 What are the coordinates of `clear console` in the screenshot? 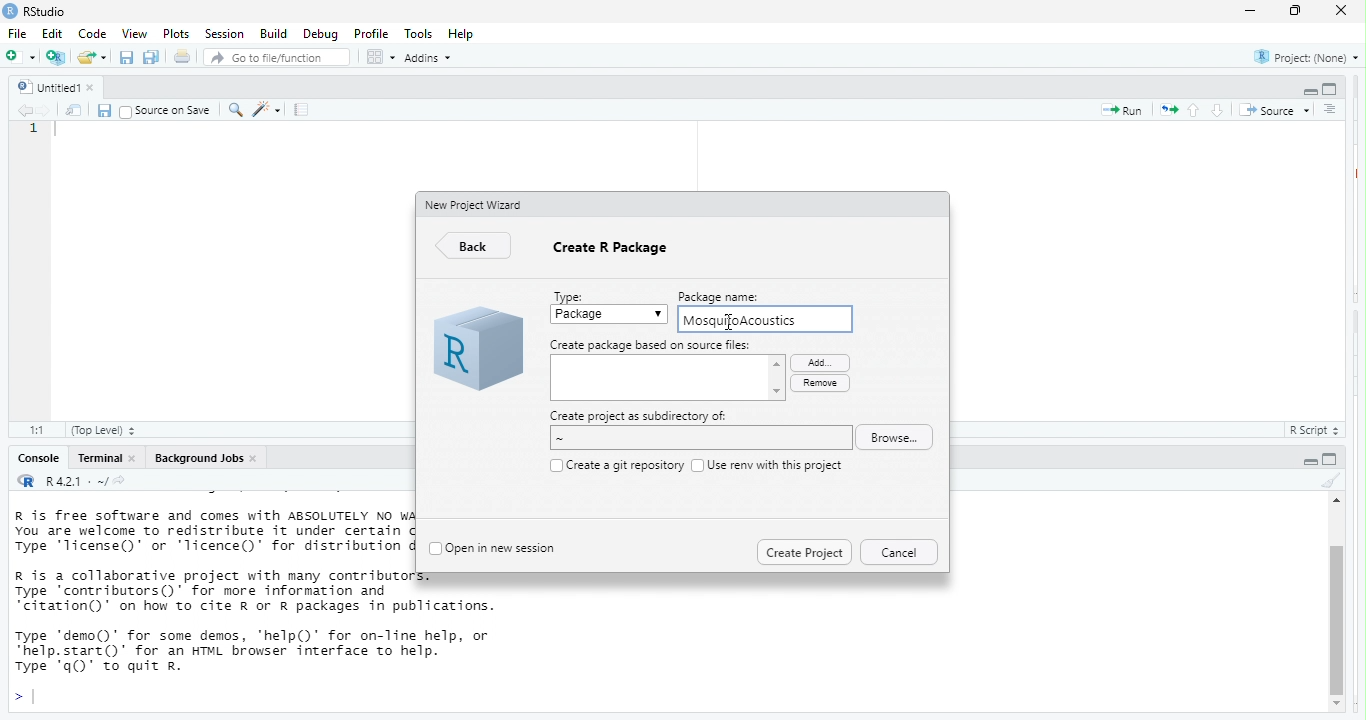 It's located at (1328, 481).